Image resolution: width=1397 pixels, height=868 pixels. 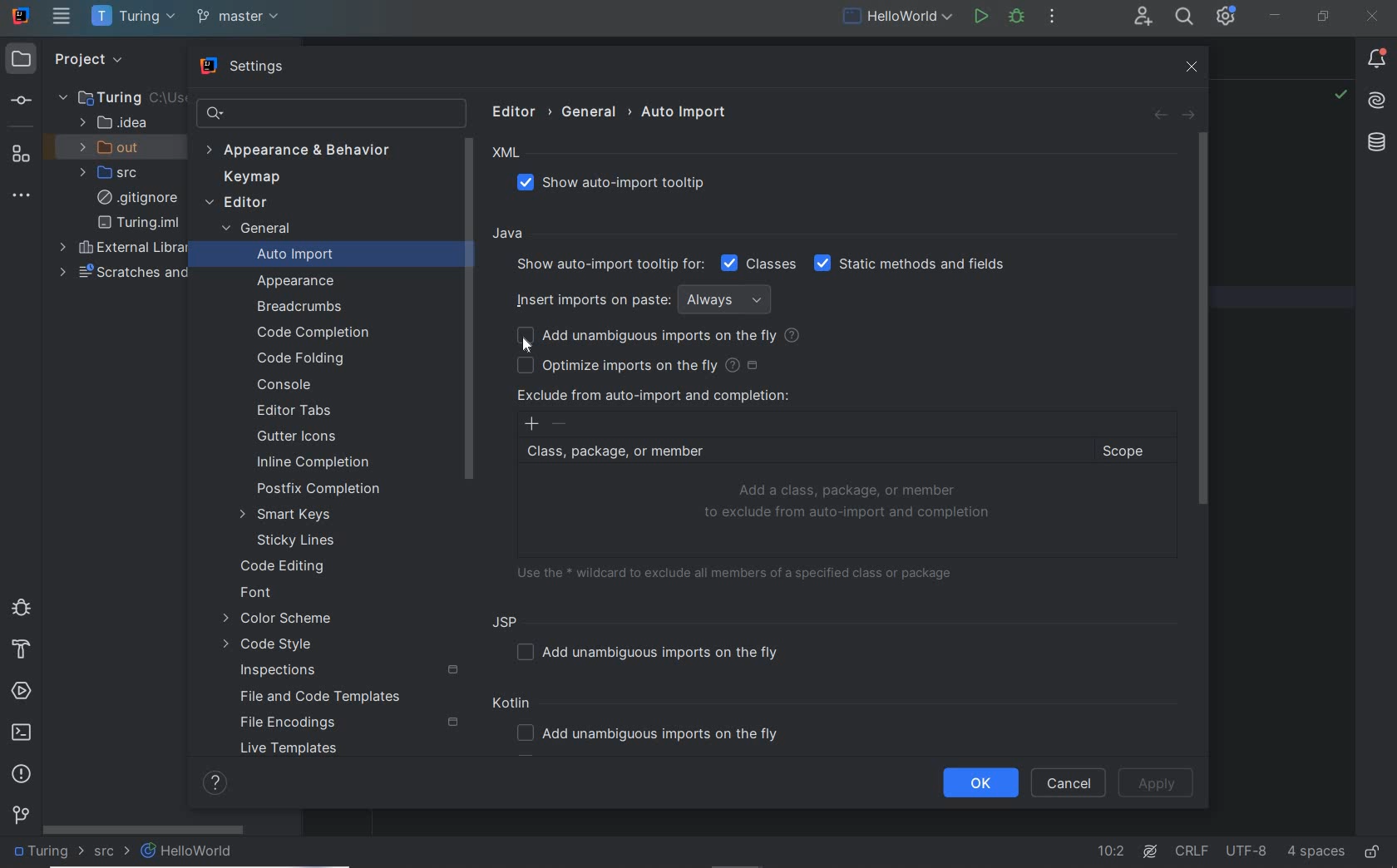 I want to click on terminal, so click(x=23, y=733).